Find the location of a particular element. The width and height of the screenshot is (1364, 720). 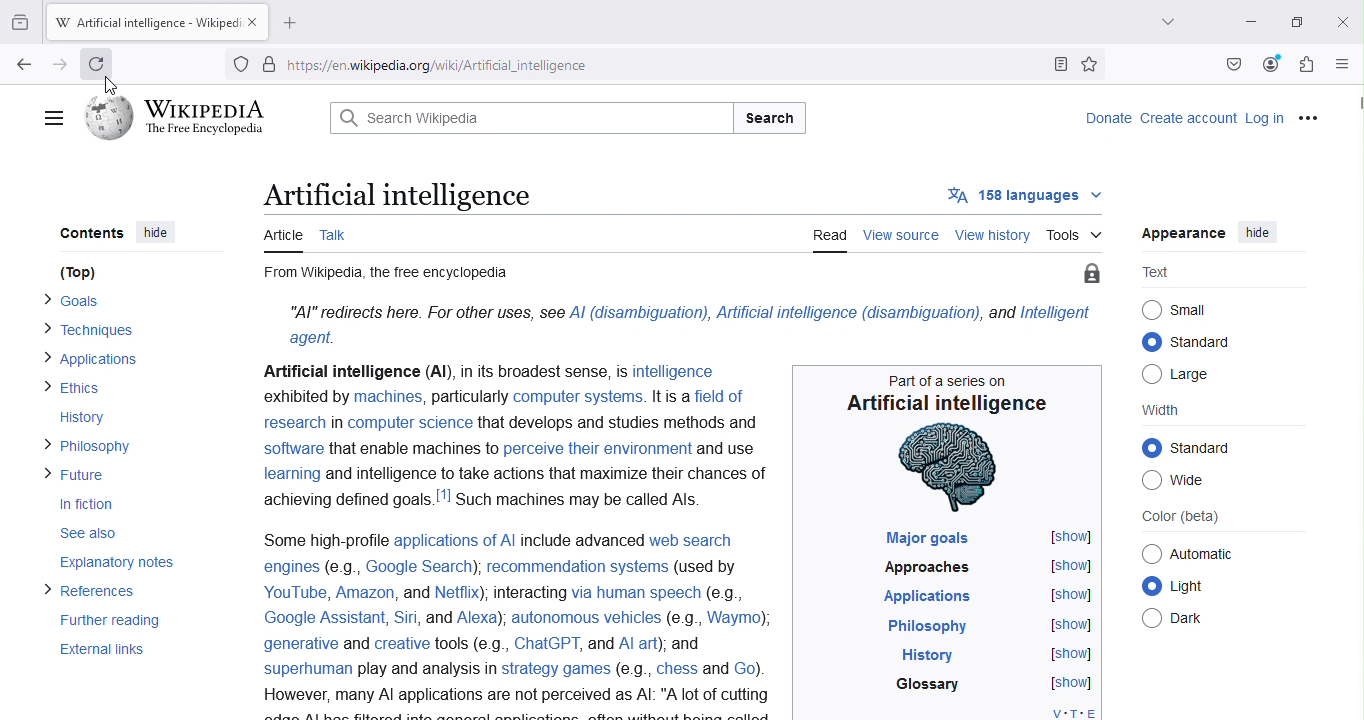

and intelligence to take actions that maximize their chances of is located at coordinates (552, 477).